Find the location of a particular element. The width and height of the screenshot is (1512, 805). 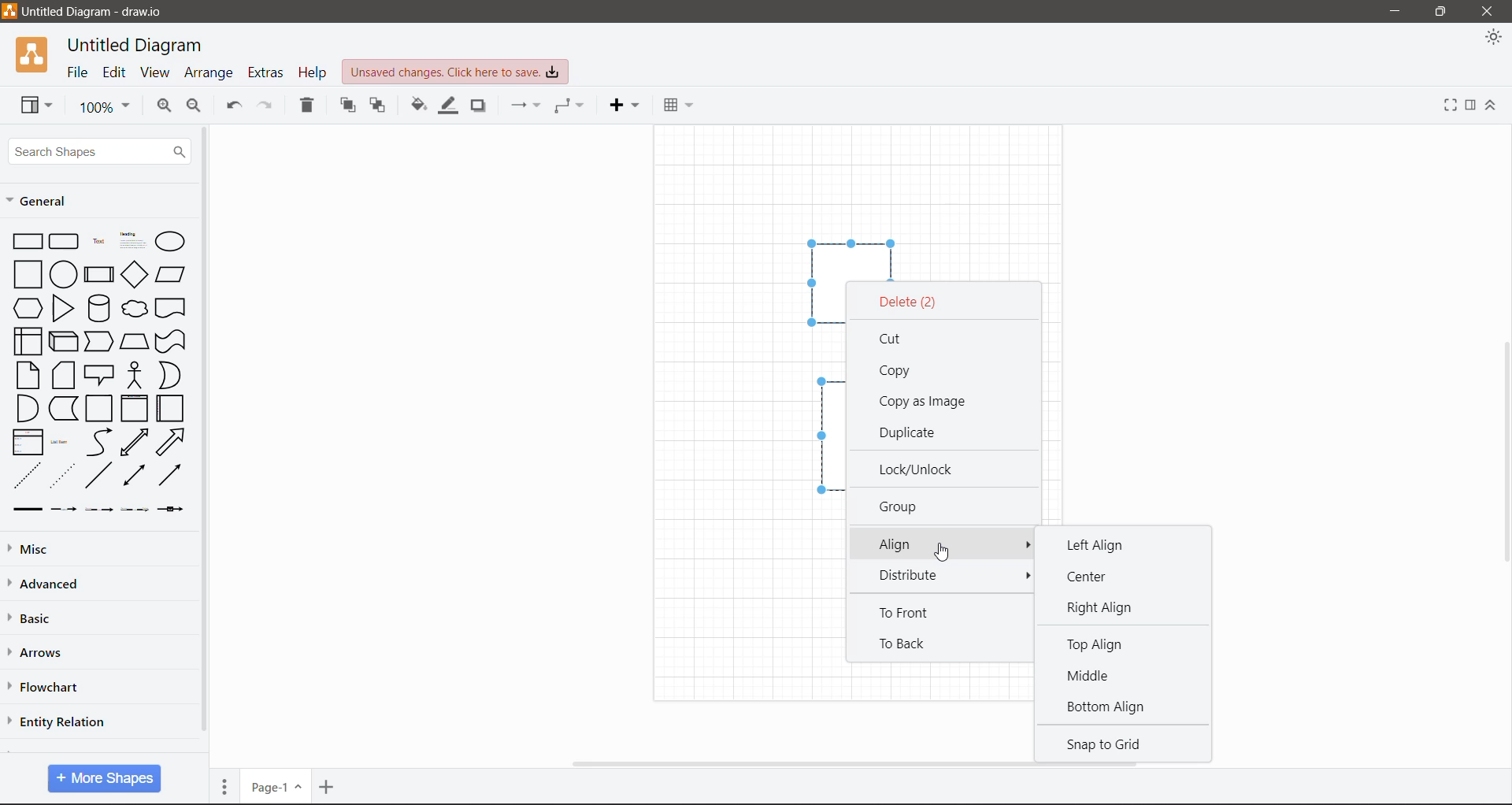

To Front is located at coordinates (912, 614).